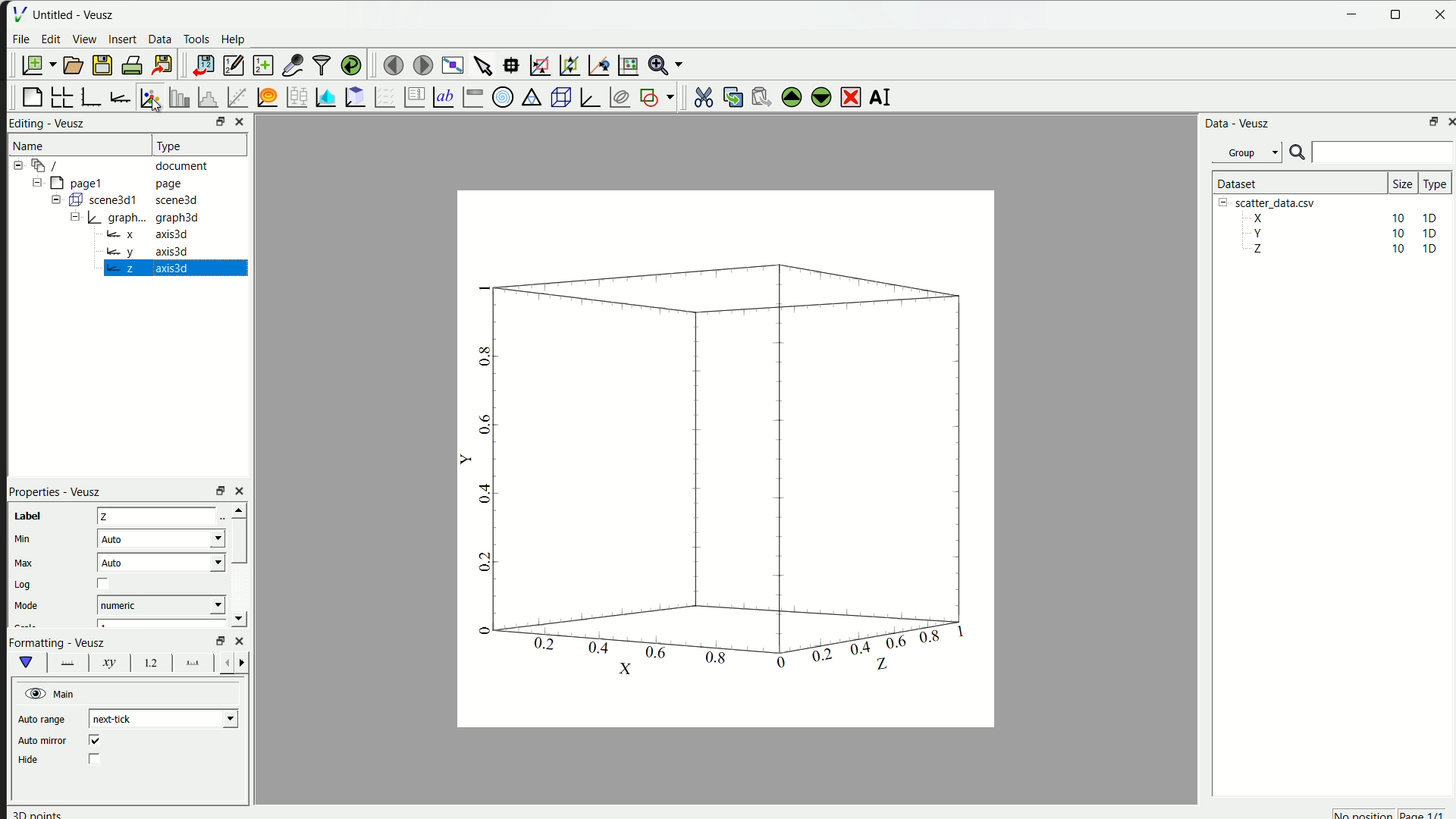 The width and height of the screenshot is (1456, 819). I want to click on Reset graph axes, so click(627, 63).